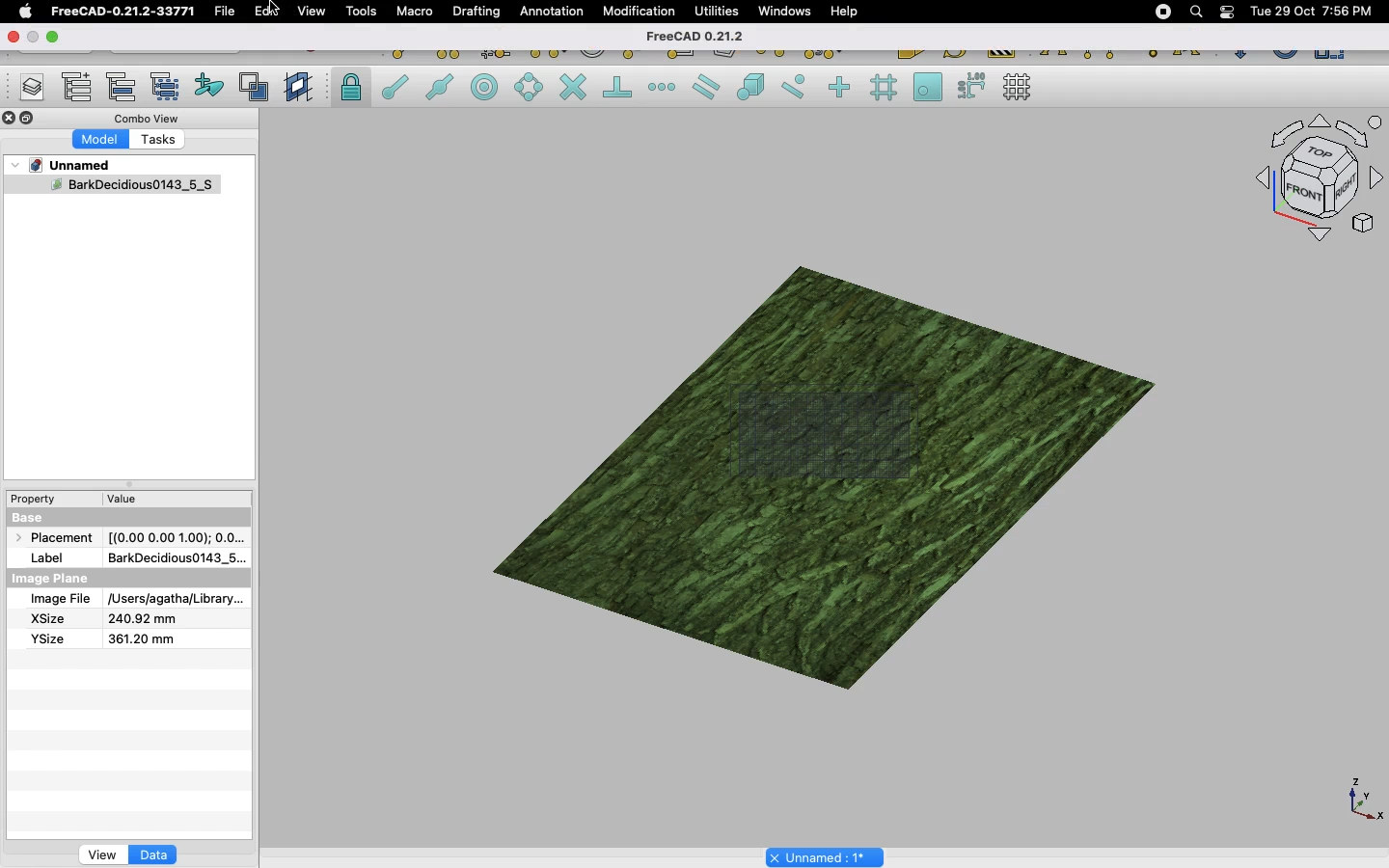 The width and height of the screenshot is (1389, 868). I want to click on Macro, so click(416, 12).